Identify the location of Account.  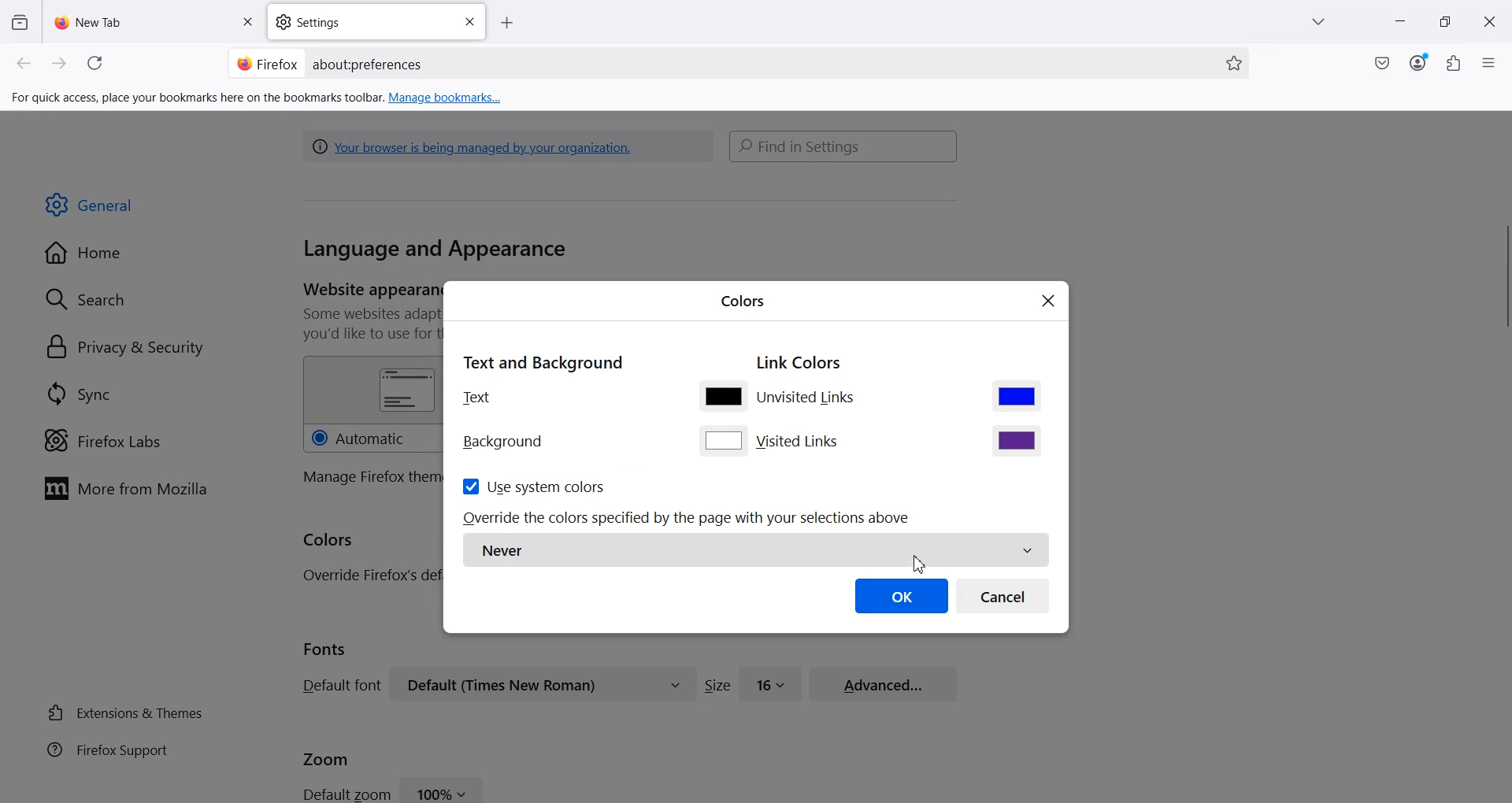
(1418, 63).